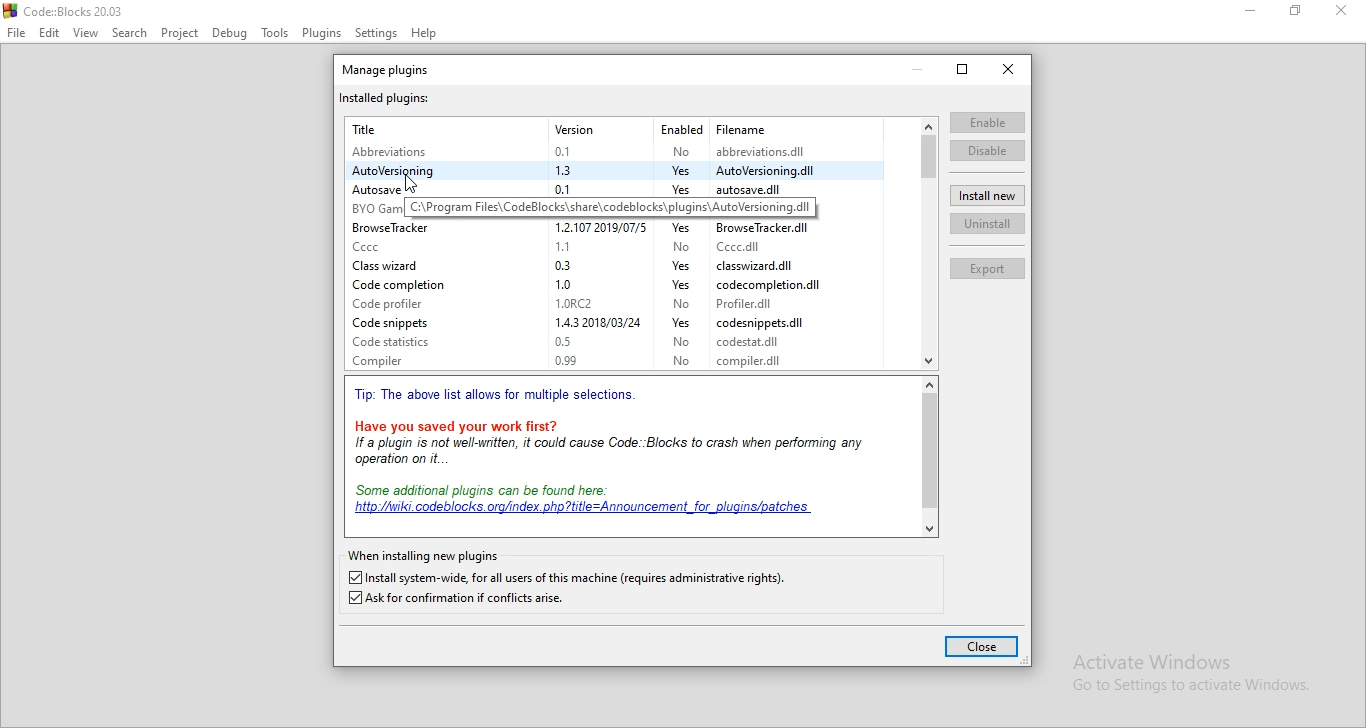  I want to click on uninstall, so click(987, 222).